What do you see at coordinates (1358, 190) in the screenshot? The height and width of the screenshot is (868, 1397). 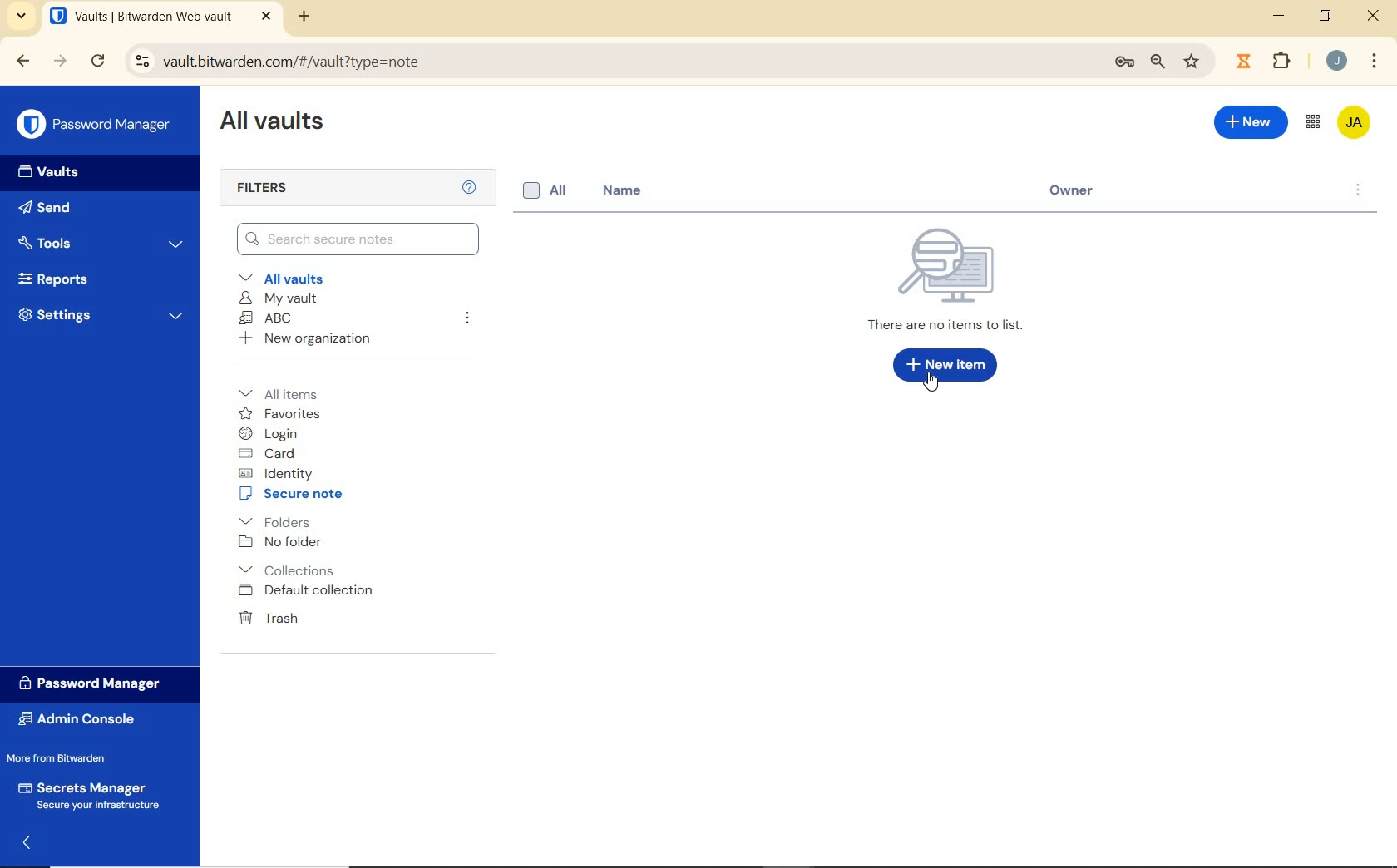 I see `options` at bounding box center [1358, 190].